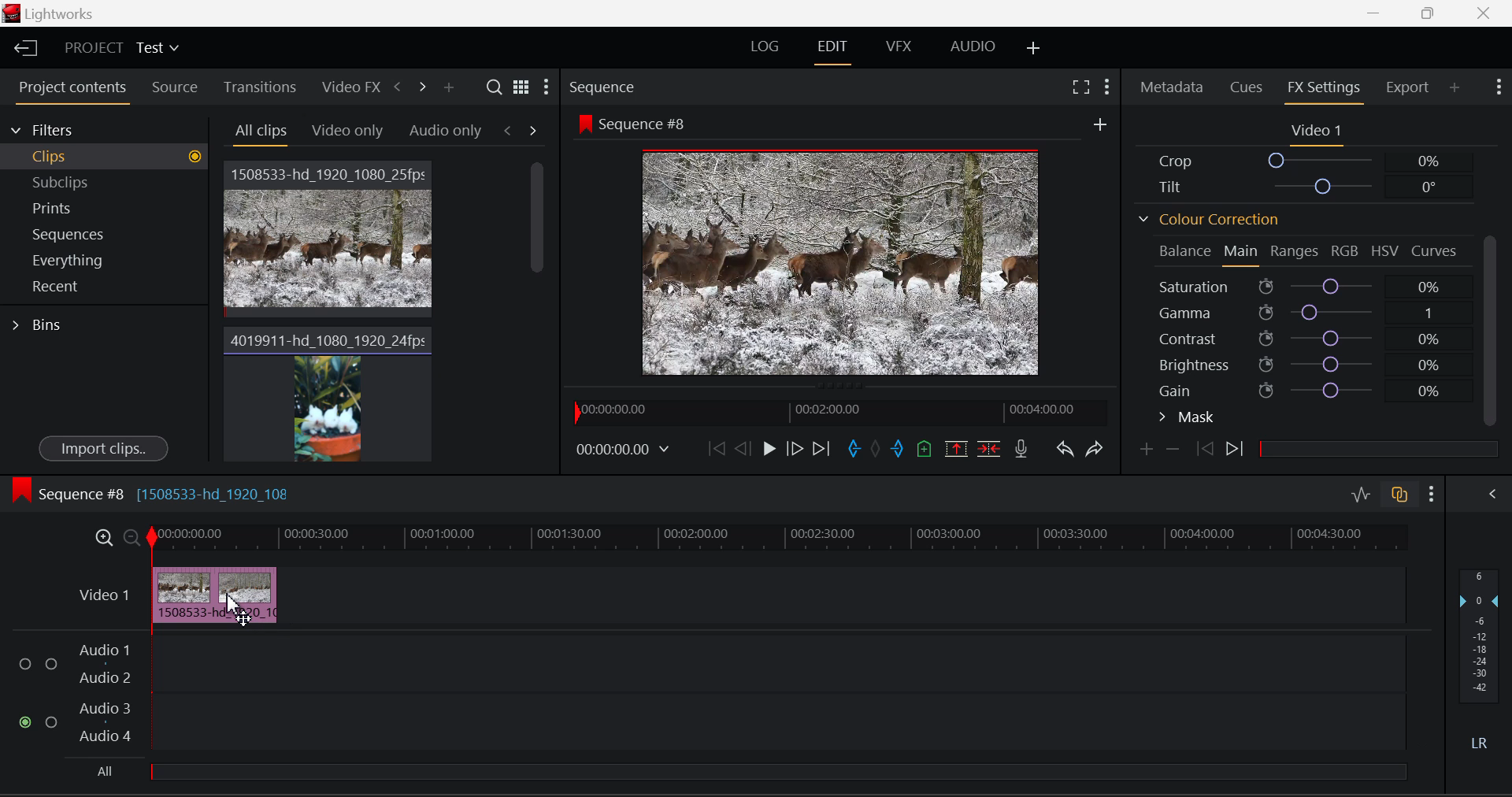 This screenshot has height=797, width=1512. Describe the element at coordinates (1170, 87) in the screenshot. I see `Metadata` at that location.